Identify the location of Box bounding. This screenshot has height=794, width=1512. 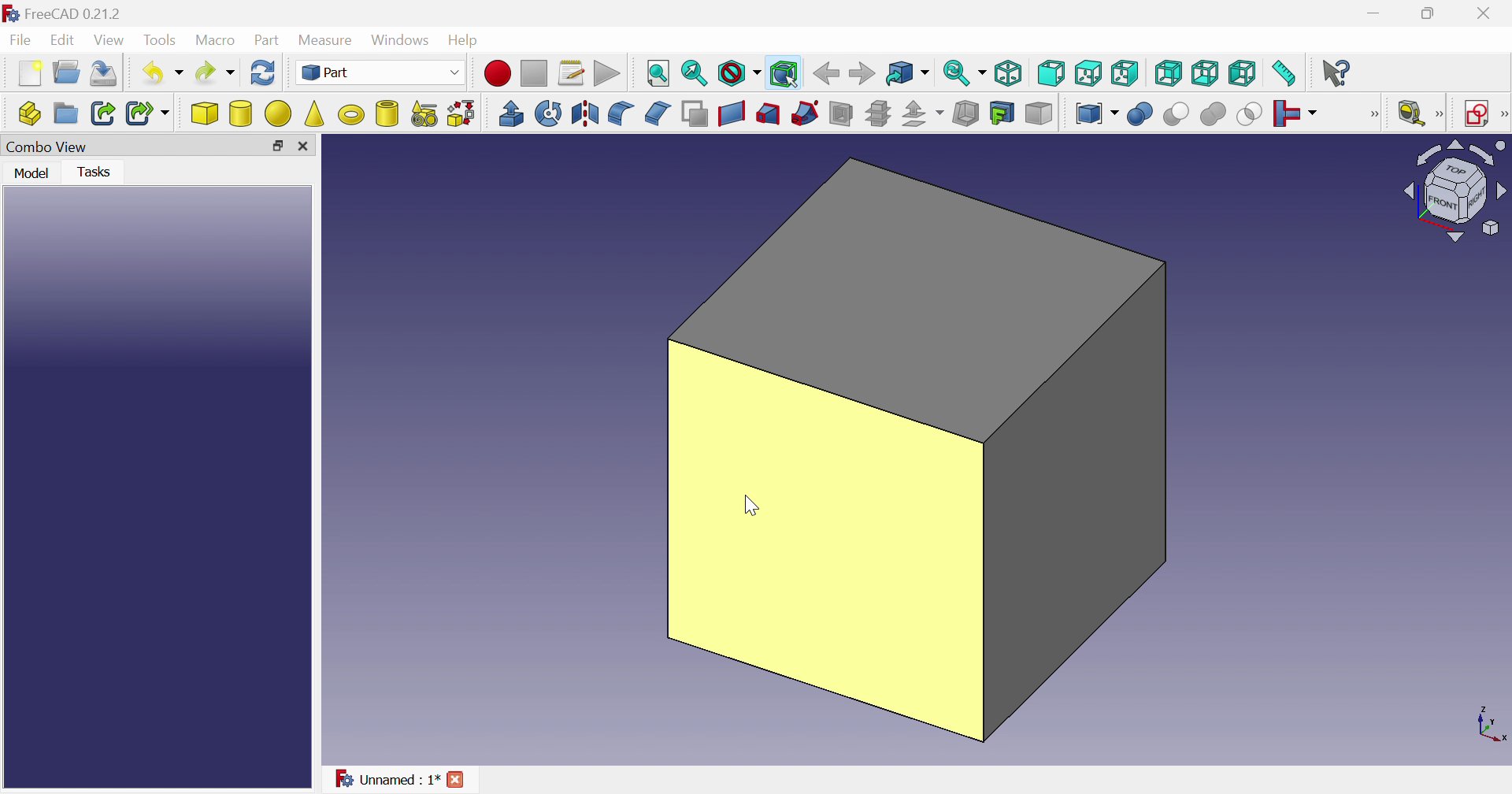
(785, 75).